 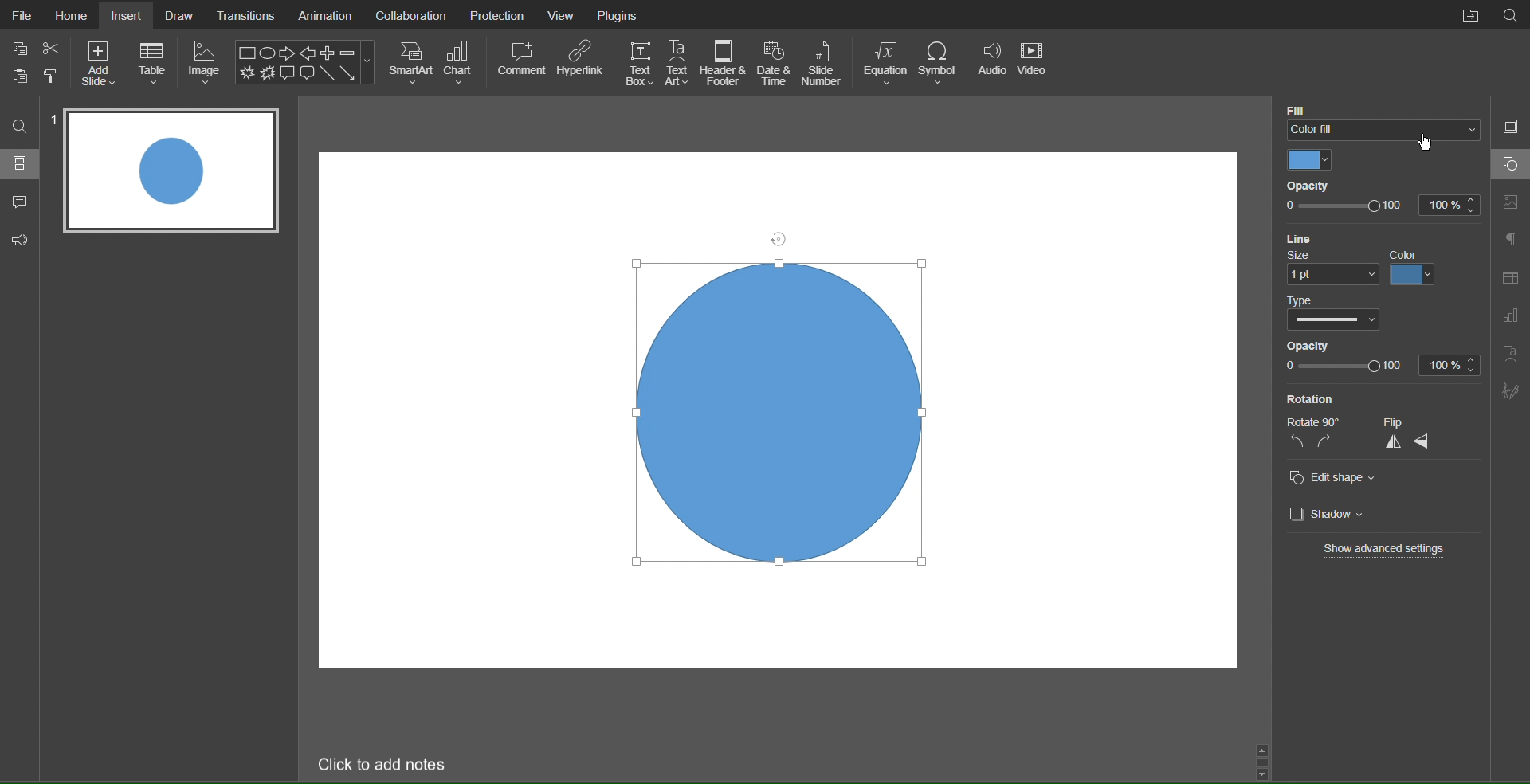 What do you see at coordinates (941, 64) in the screenshot?
I see `Symbol` at bounding box center [941, 64].